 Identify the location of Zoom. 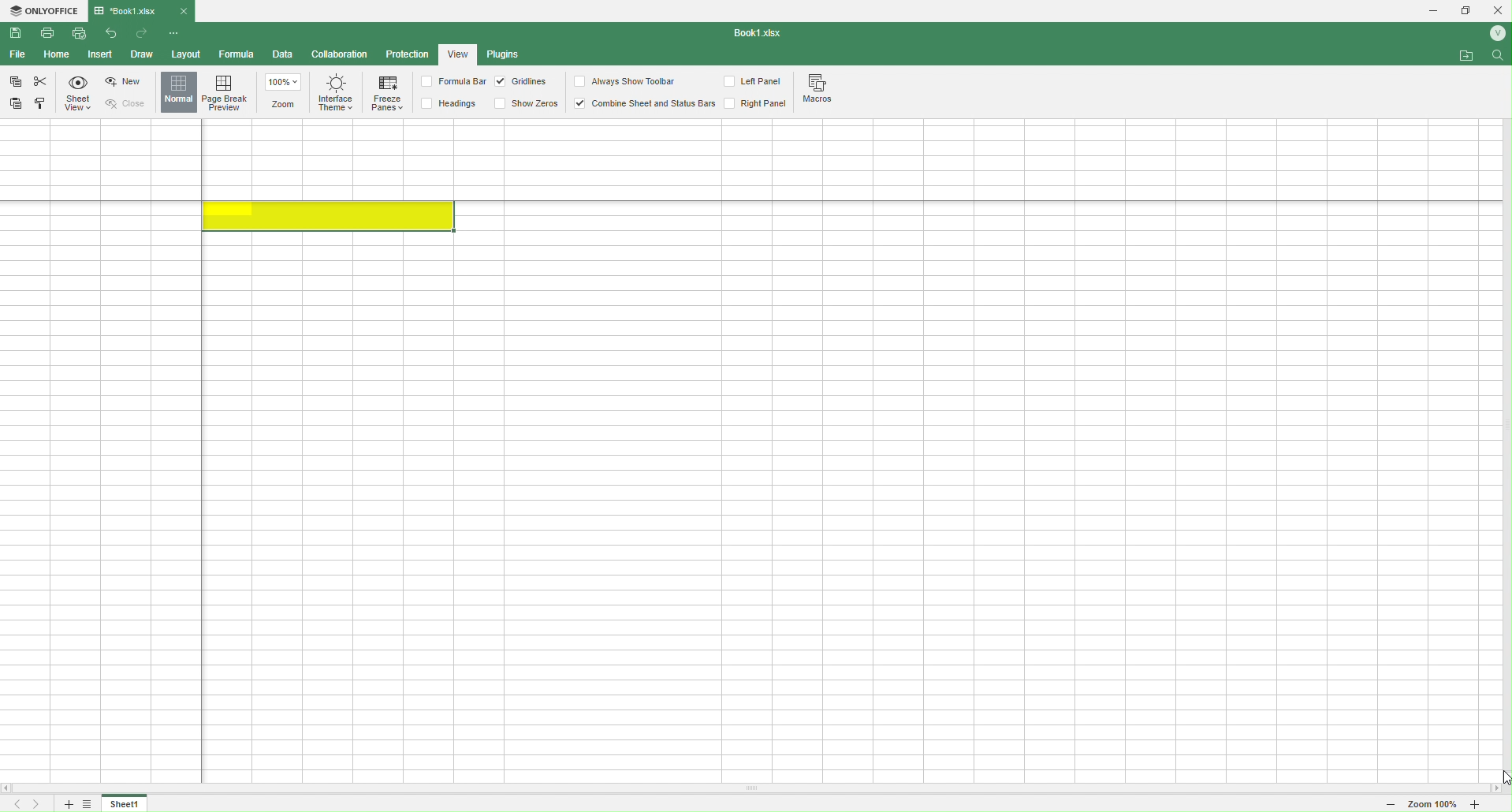
(286, 93).